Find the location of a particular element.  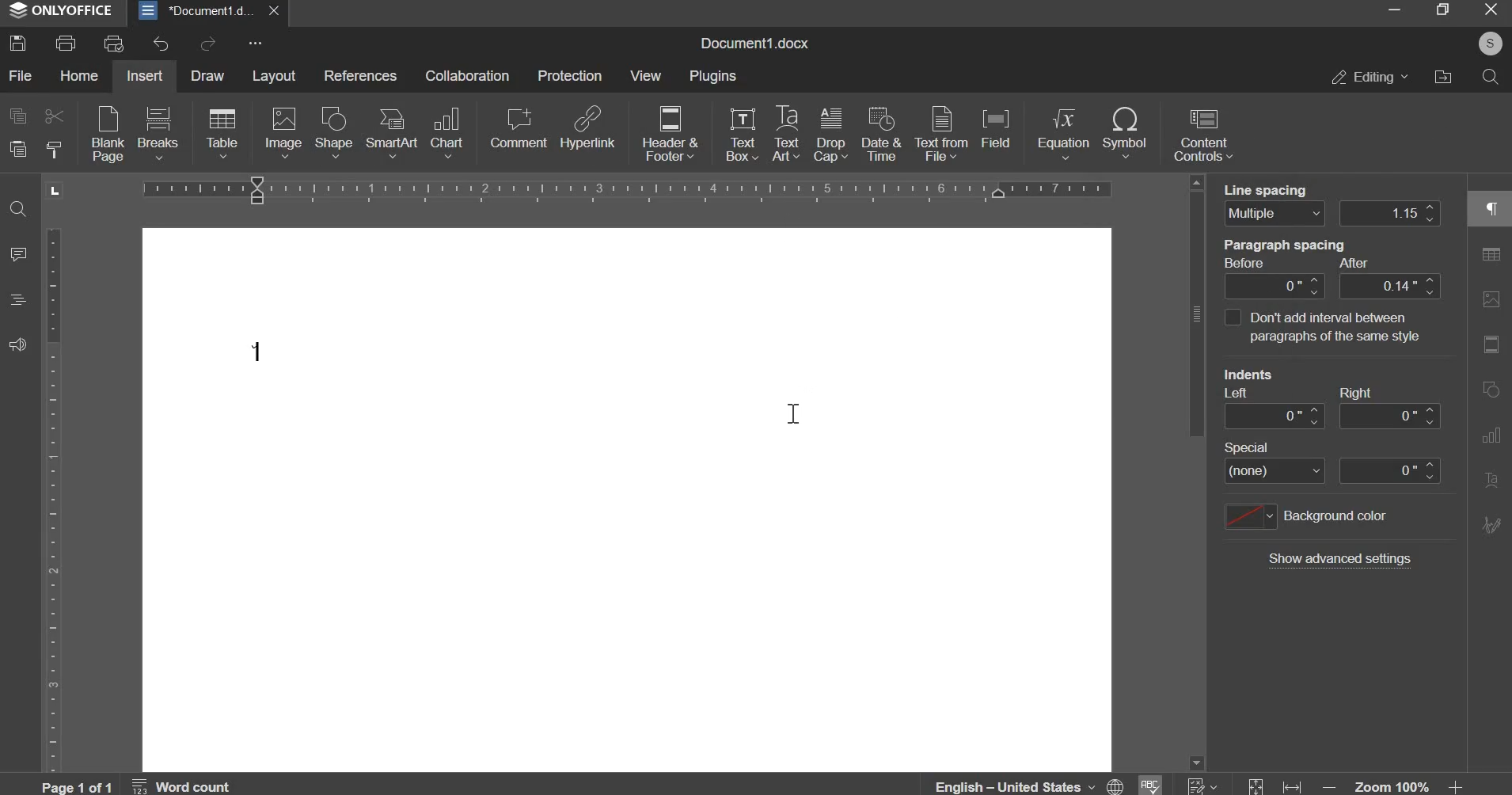

insert is located at coordinates (144, 74).